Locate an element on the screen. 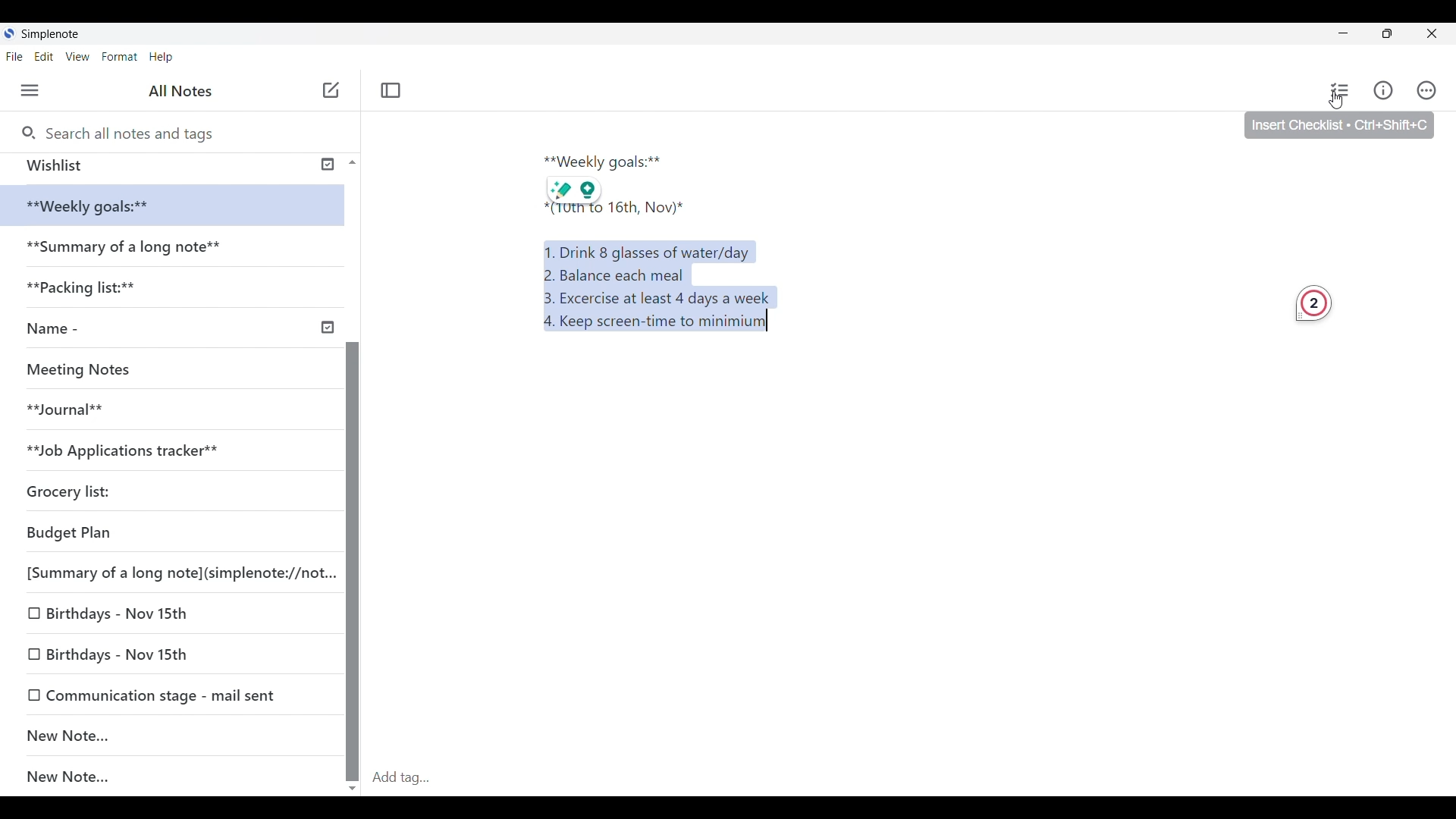 Image resolution: width=1456 pixels, height=819 pixels. Scroll bar is located at coordinates (352, 523).